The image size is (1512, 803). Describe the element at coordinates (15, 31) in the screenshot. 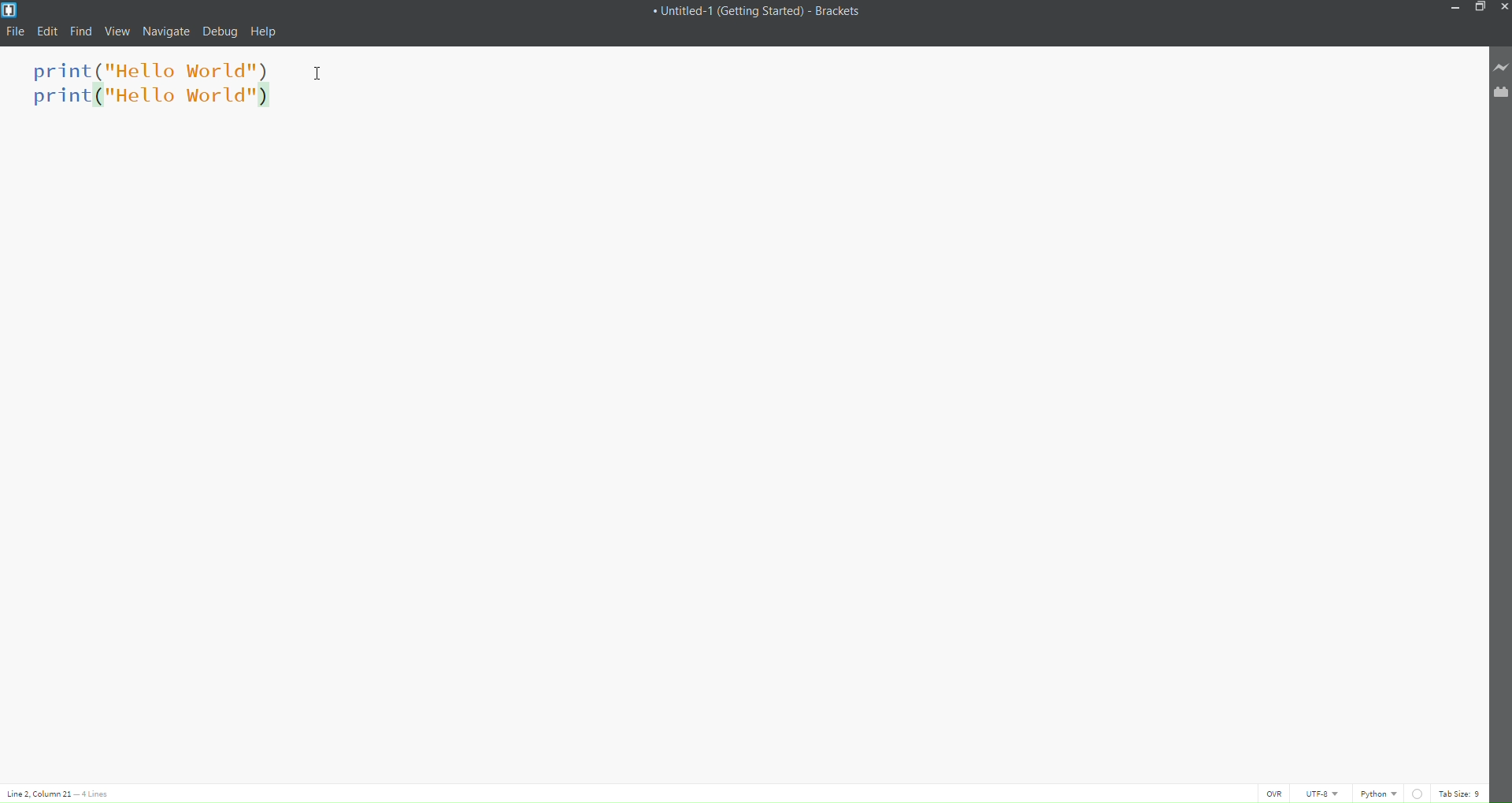

I see `file` at that location.